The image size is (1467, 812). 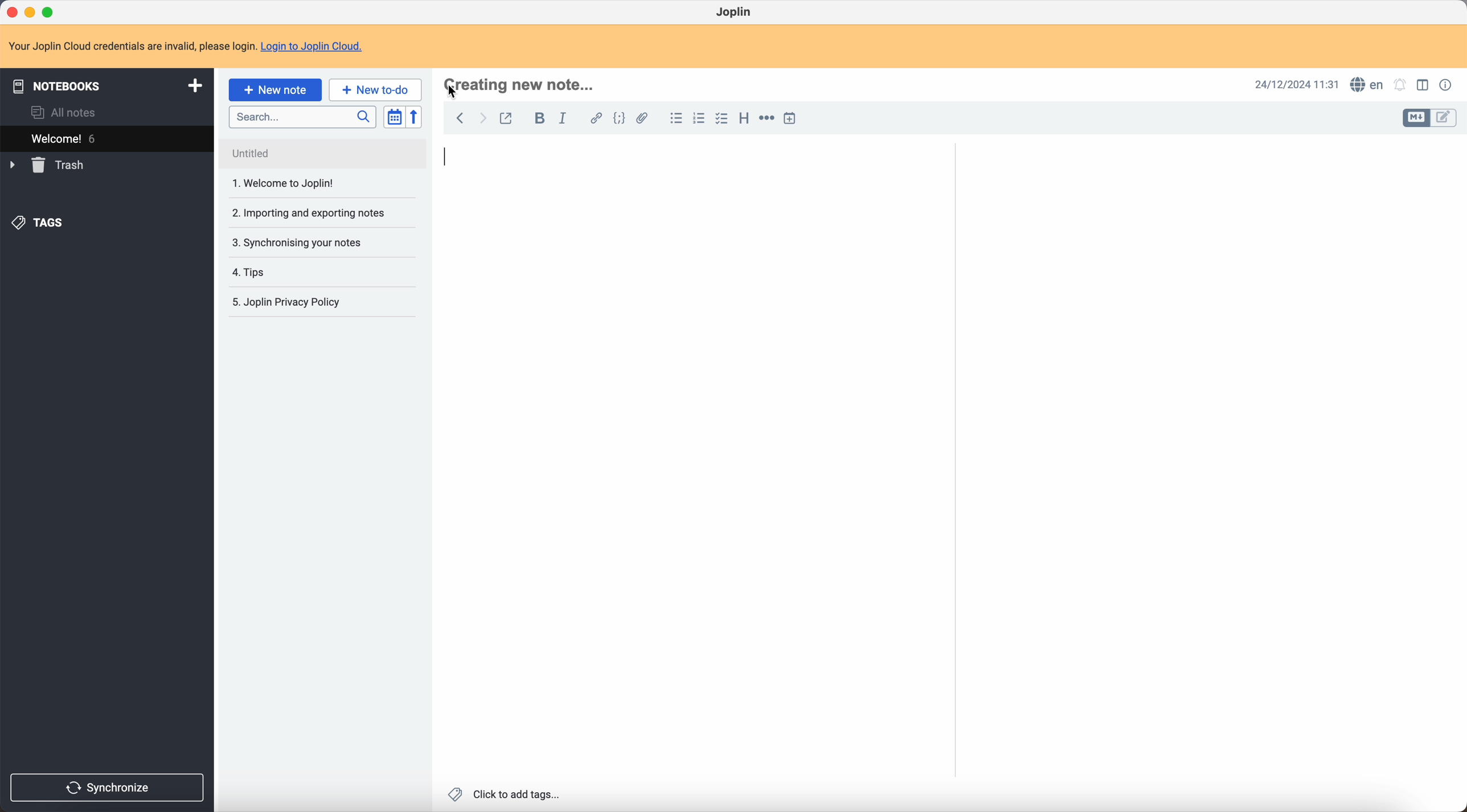 What do you see at coordinates (503, 794) in the screenshot?
I see `click to add tags` at bounding box center [503, 794].